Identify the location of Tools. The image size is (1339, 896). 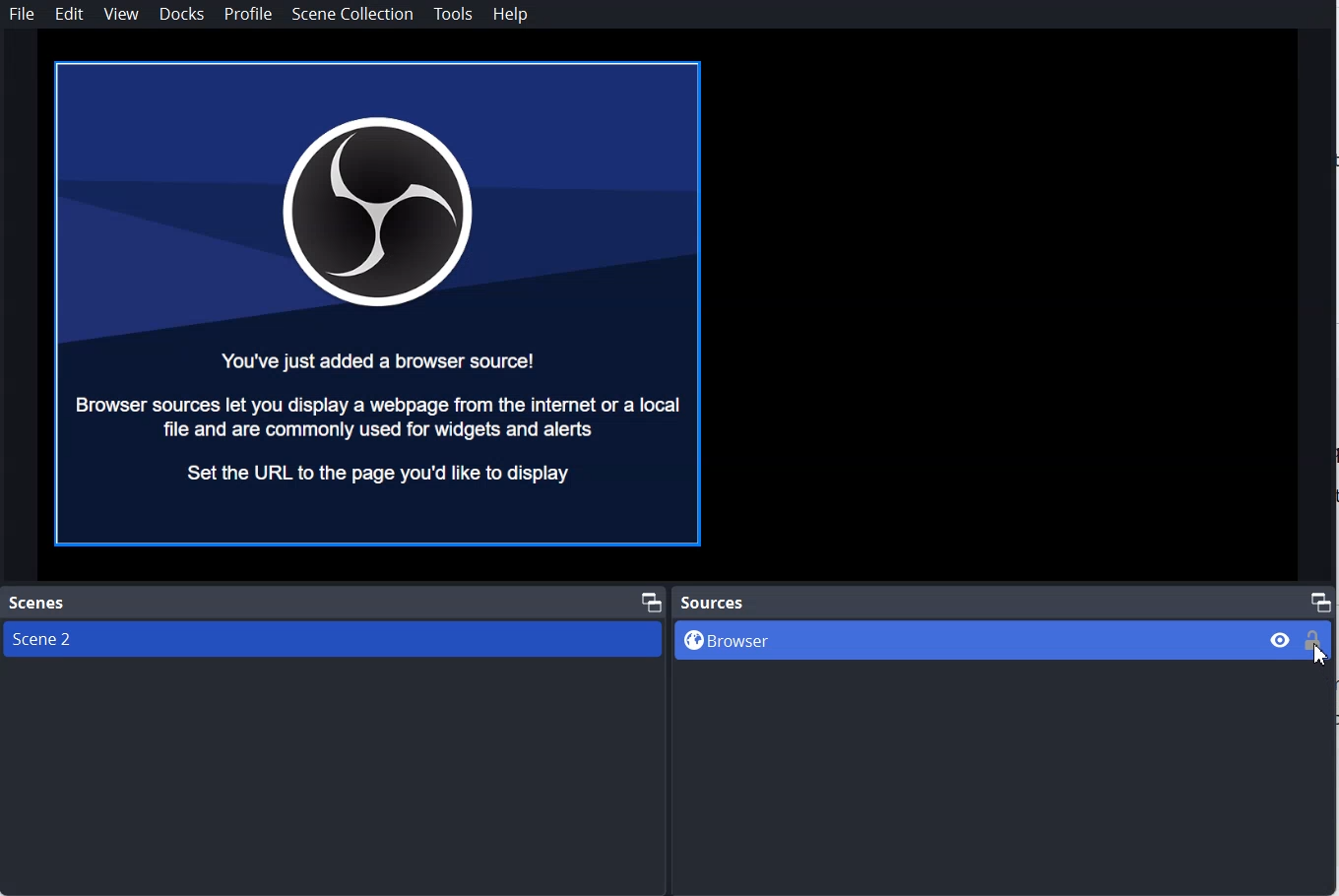
(454, 14).